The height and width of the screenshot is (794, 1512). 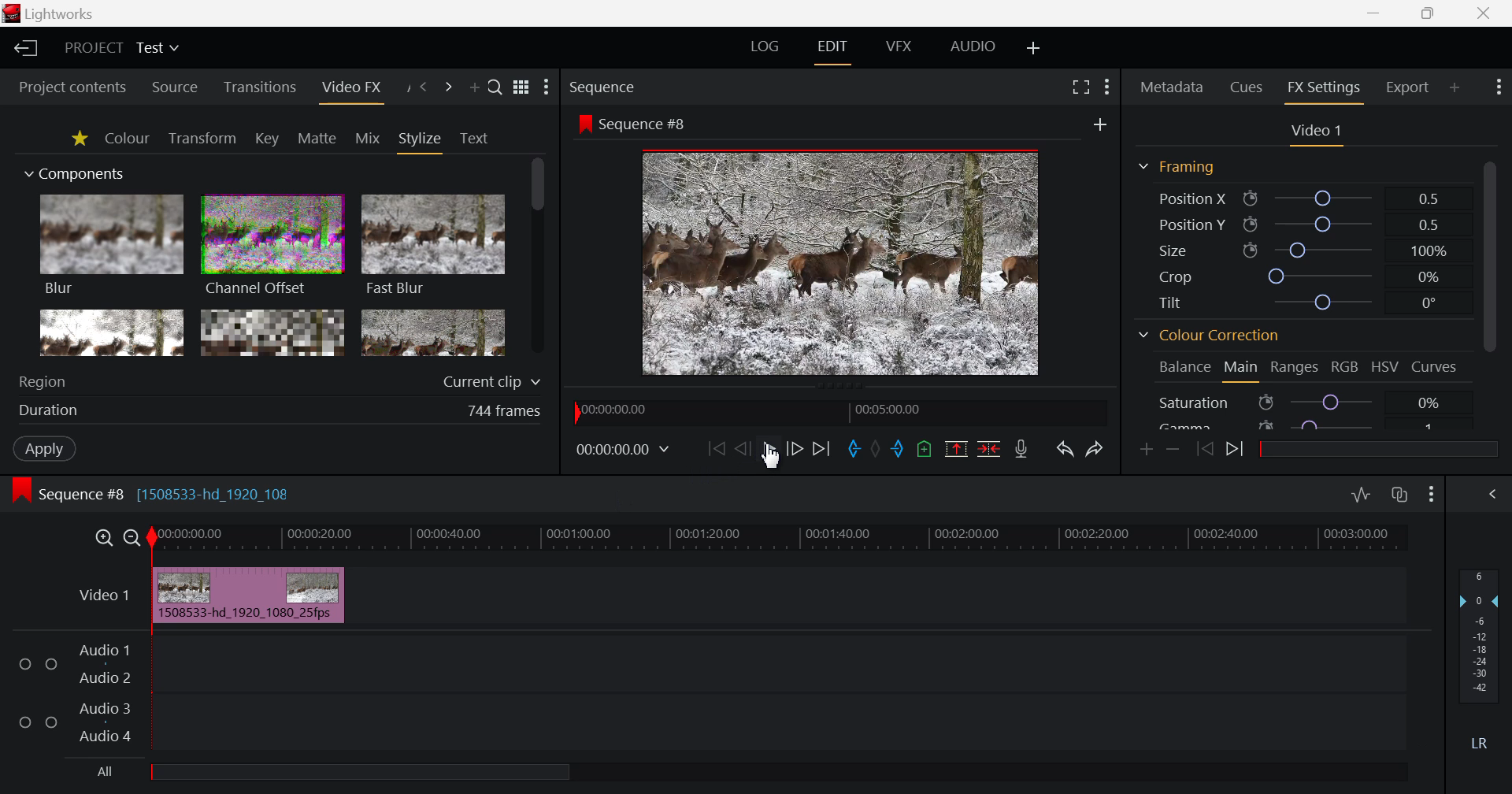 I want to click on Project contents, so click(x=72, y=85).